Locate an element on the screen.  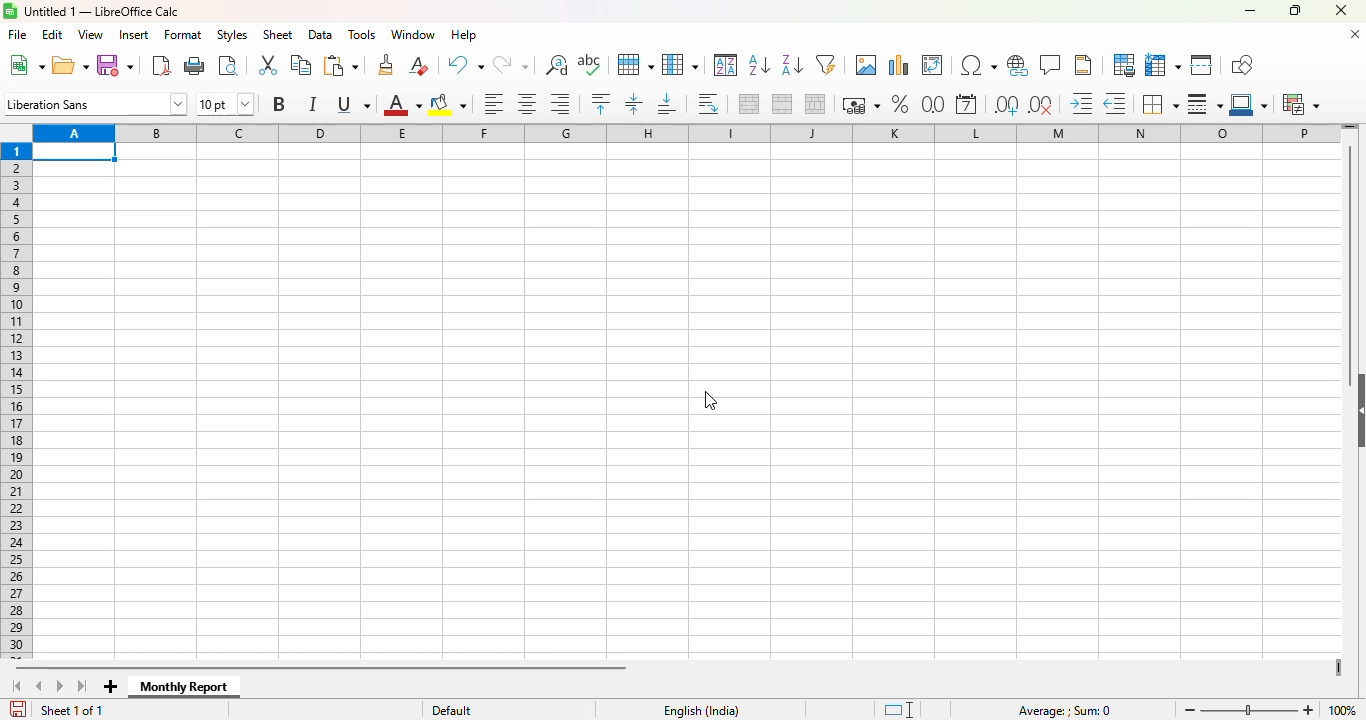
insert hyperlink is located at coordinates (1018, 66).